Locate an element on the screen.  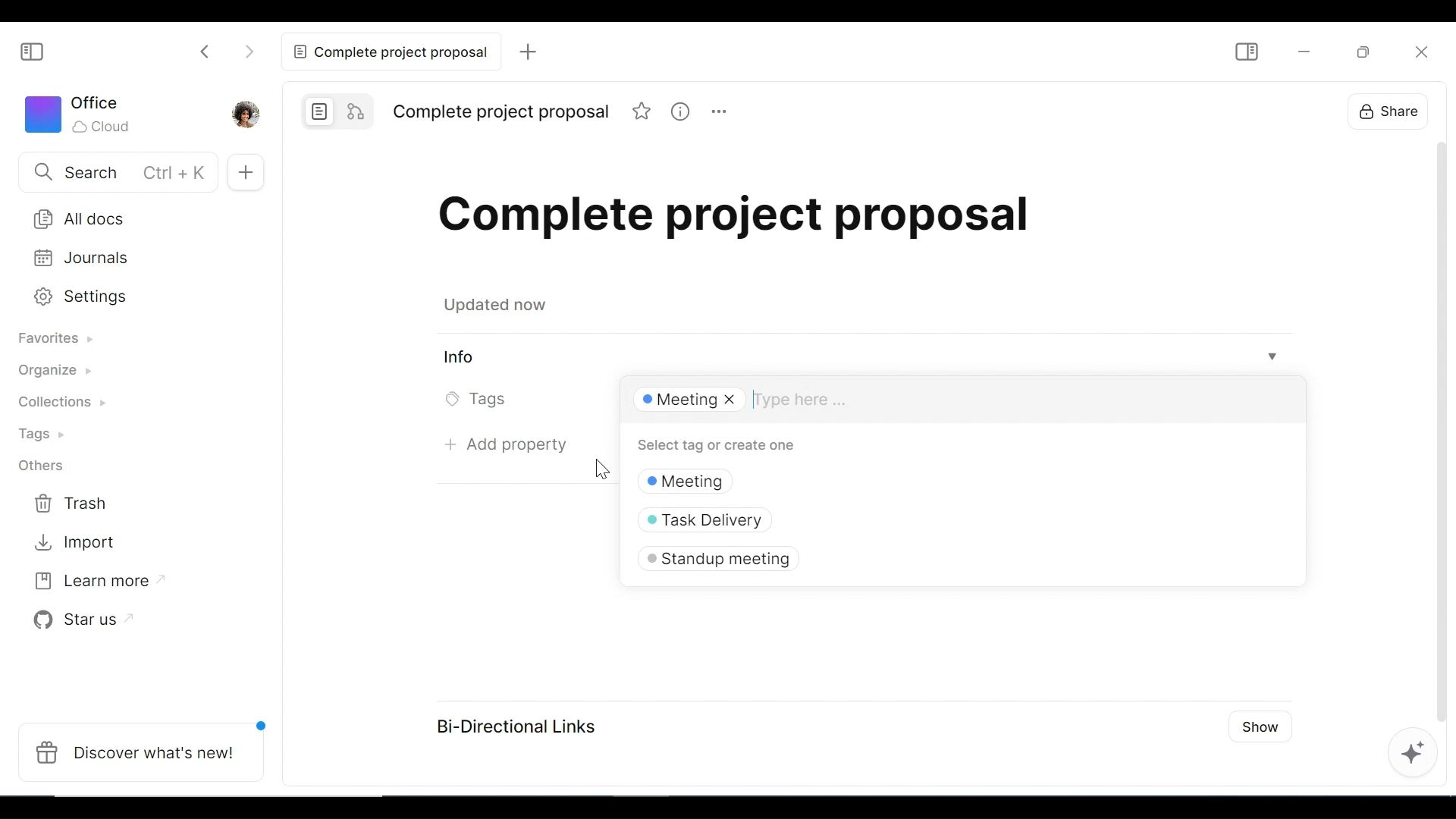
Task Delivery is located at coordinates (714, 518).